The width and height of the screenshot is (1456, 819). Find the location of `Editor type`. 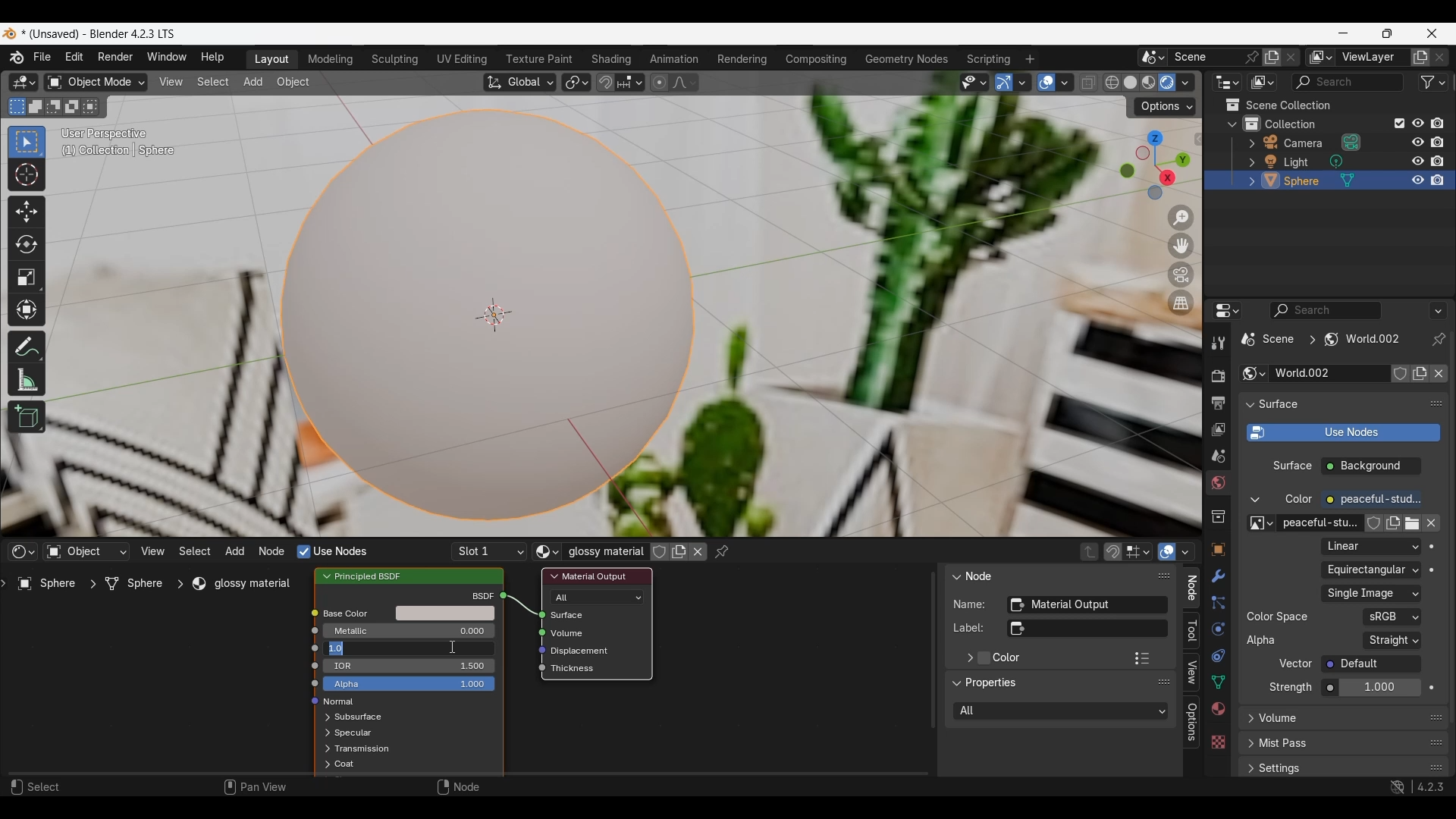

Editor type is located at coordinates (24, 82).